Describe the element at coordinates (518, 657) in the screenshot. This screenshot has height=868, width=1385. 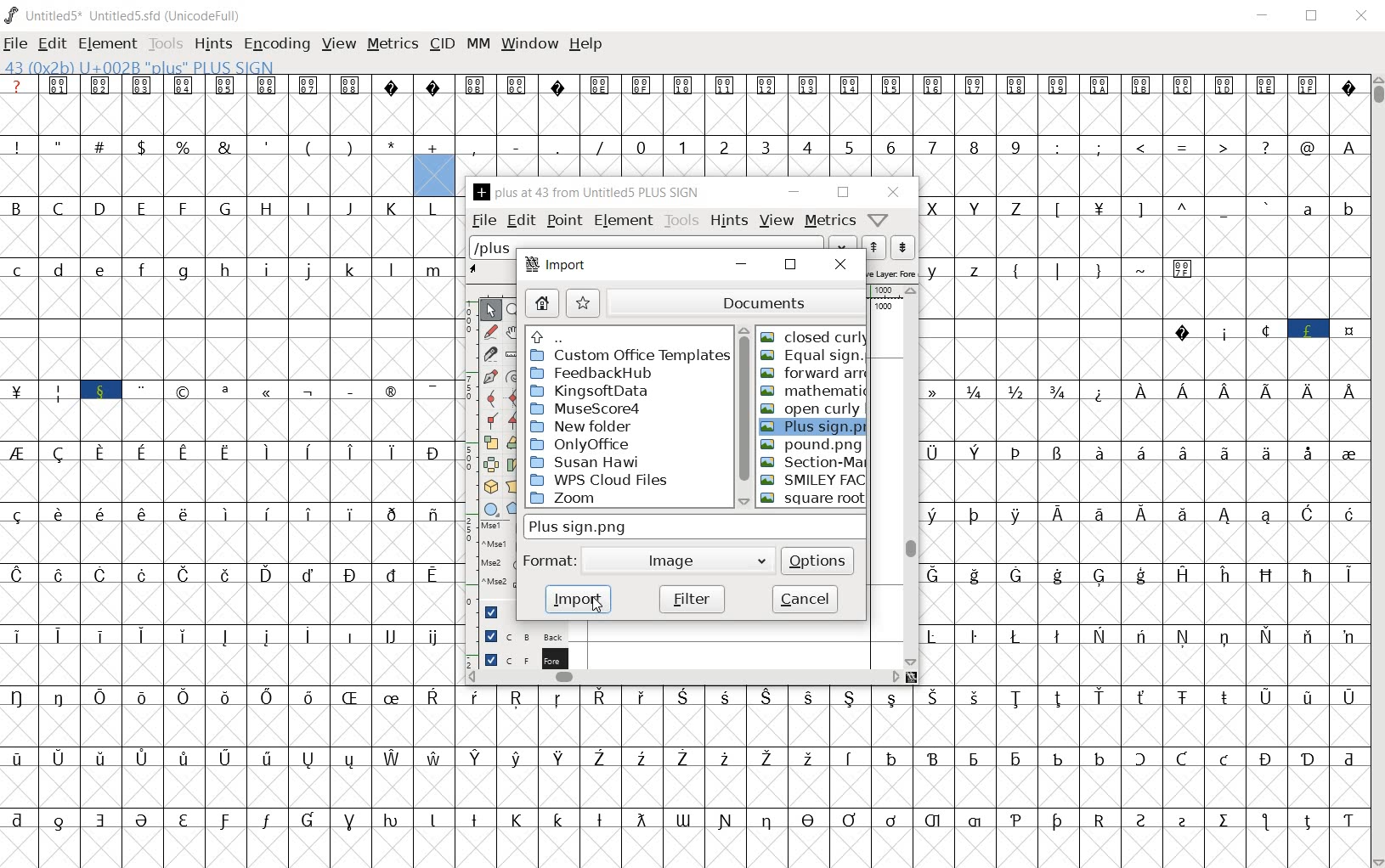
I see `foreground` at that location.